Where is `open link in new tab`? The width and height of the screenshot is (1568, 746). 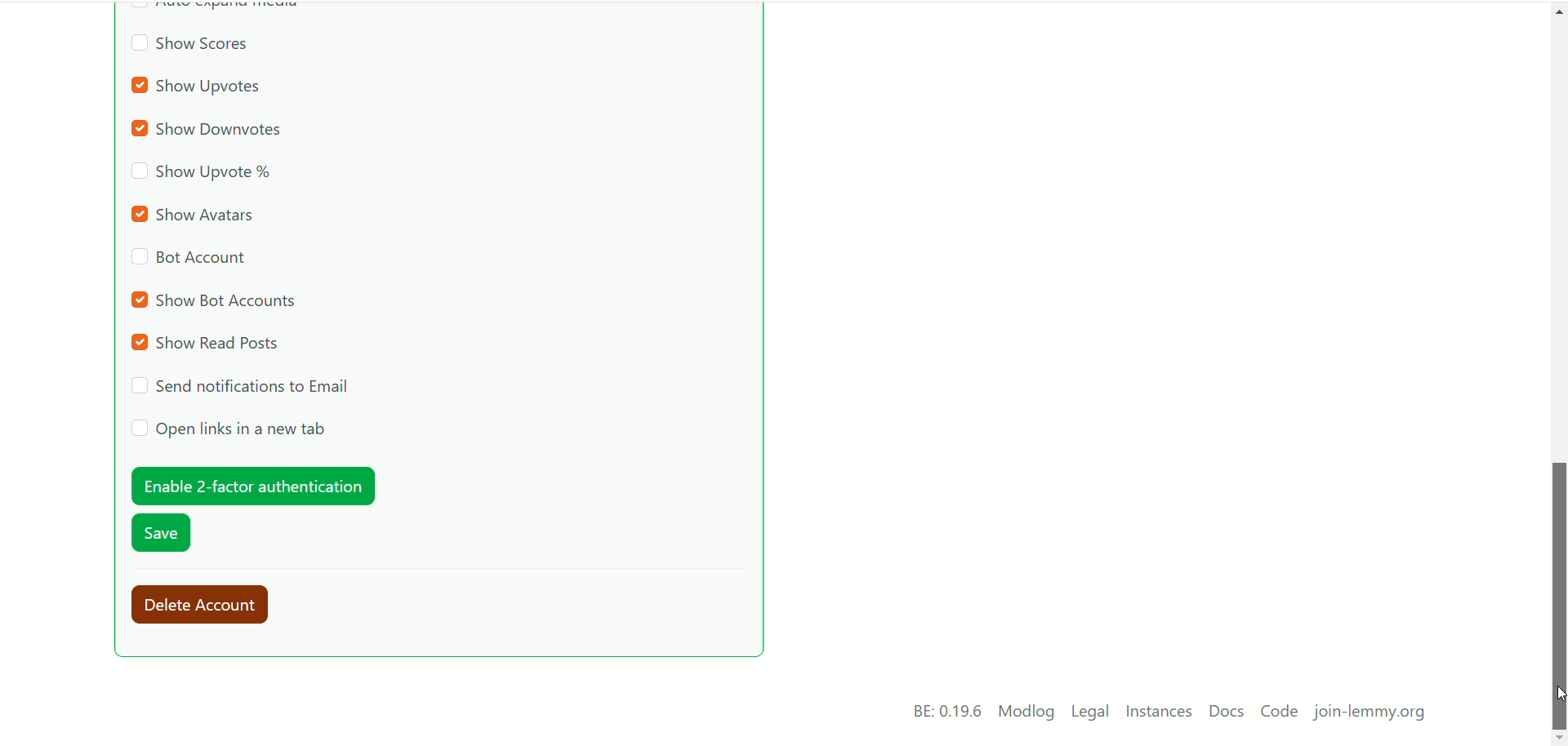
open link in new tab is located at coordinates (229, 429).